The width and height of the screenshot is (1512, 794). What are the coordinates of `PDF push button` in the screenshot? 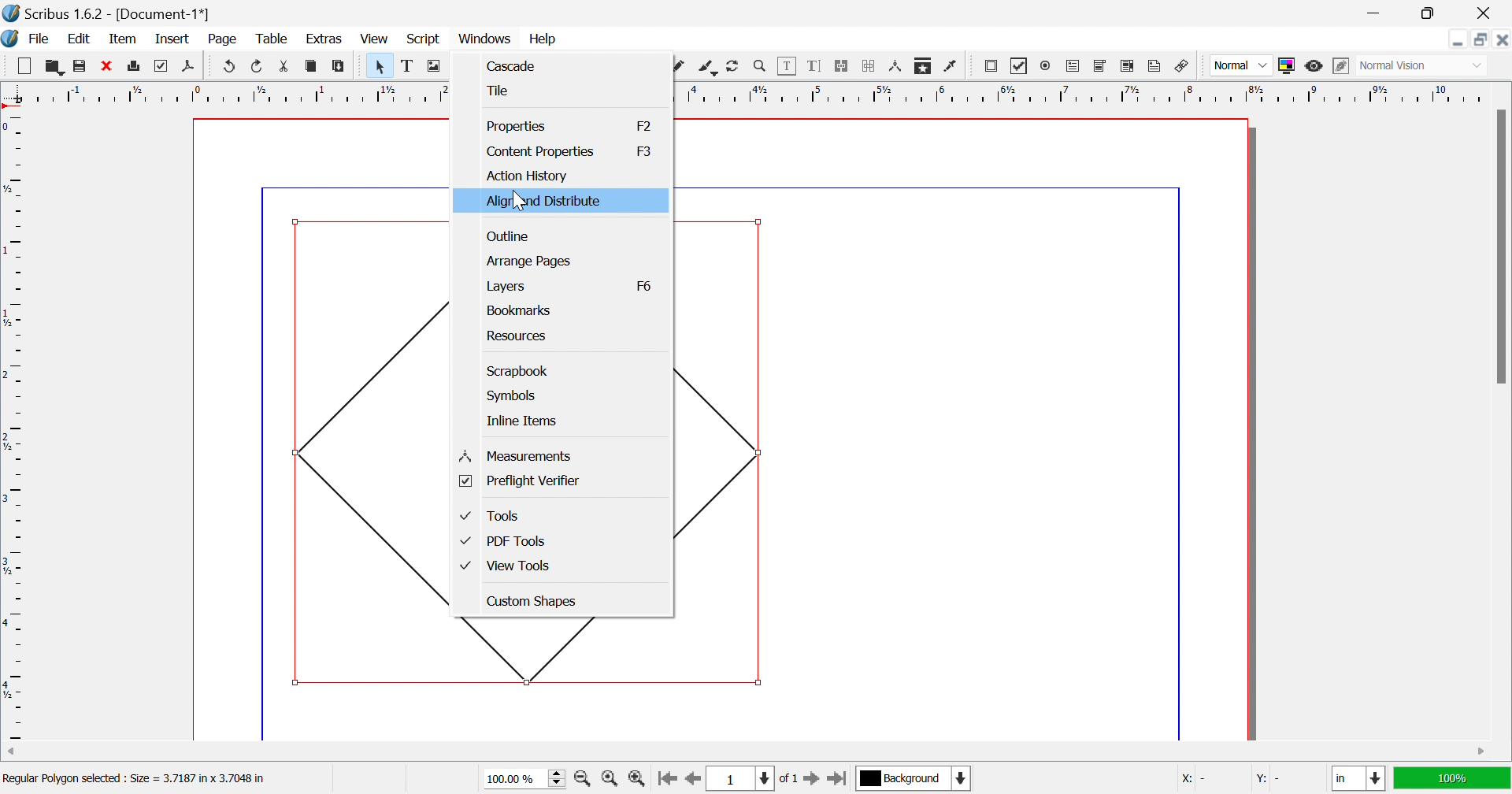 It's located at (993, 65).